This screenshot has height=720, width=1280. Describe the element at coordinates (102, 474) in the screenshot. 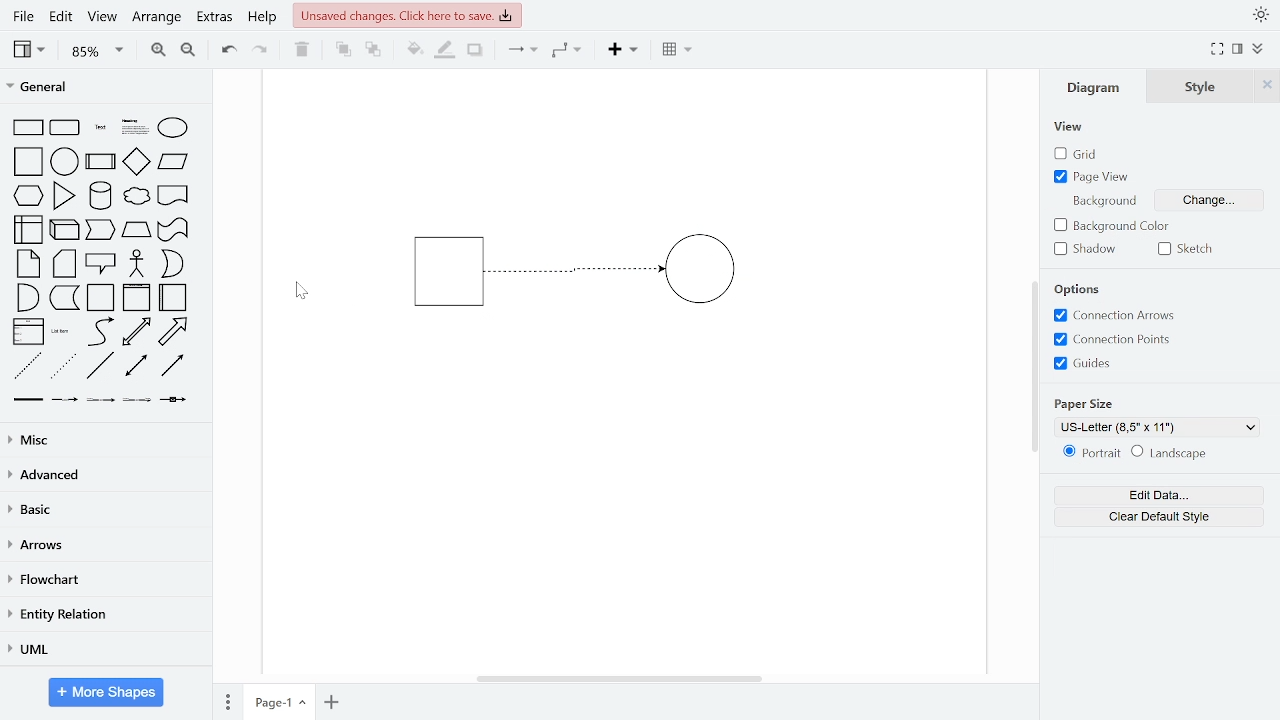

I see `advanced` at that location.